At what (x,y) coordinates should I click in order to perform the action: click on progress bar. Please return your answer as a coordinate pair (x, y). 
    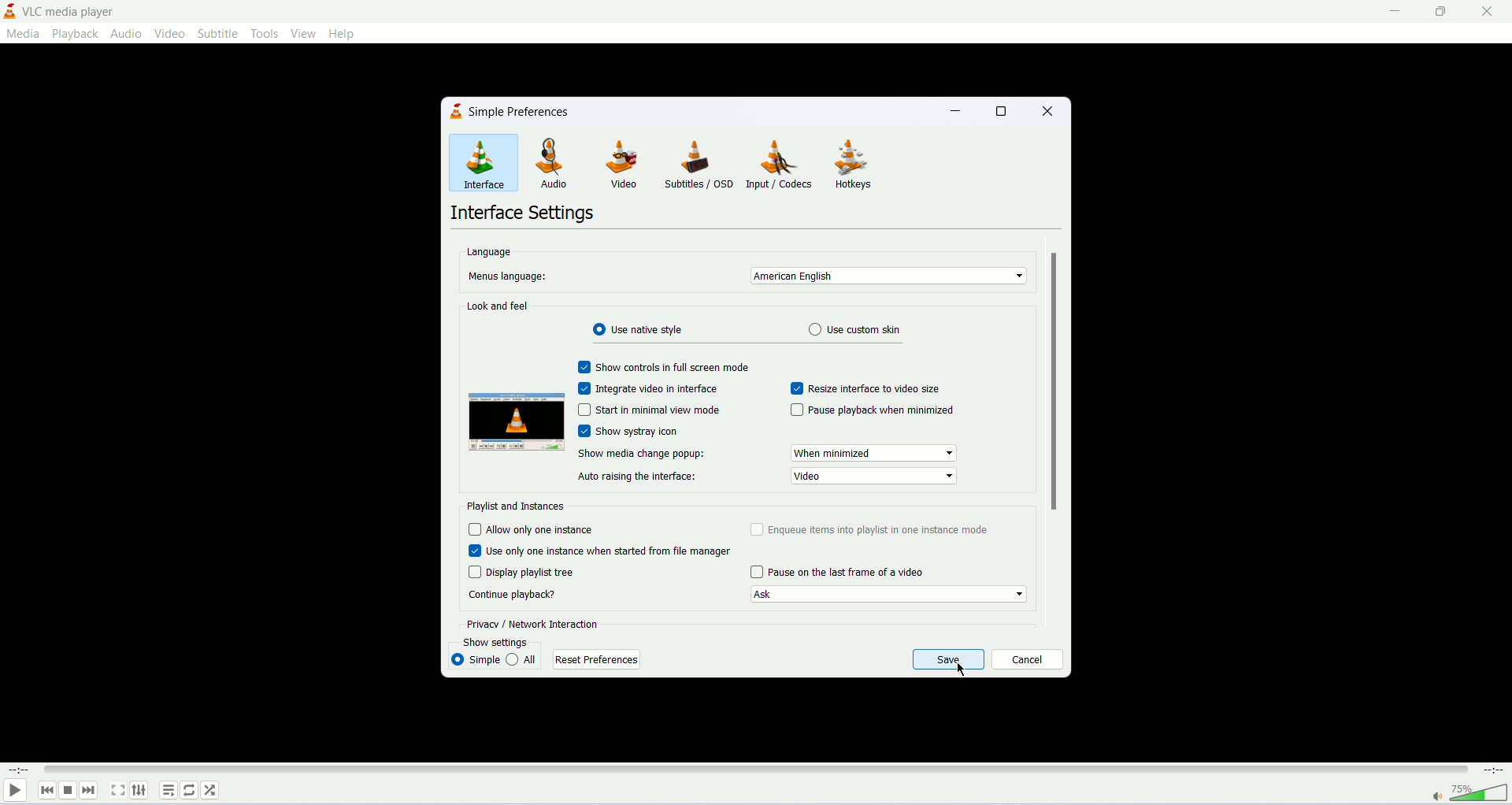
    Looking at the image, I should click on (756, 770).